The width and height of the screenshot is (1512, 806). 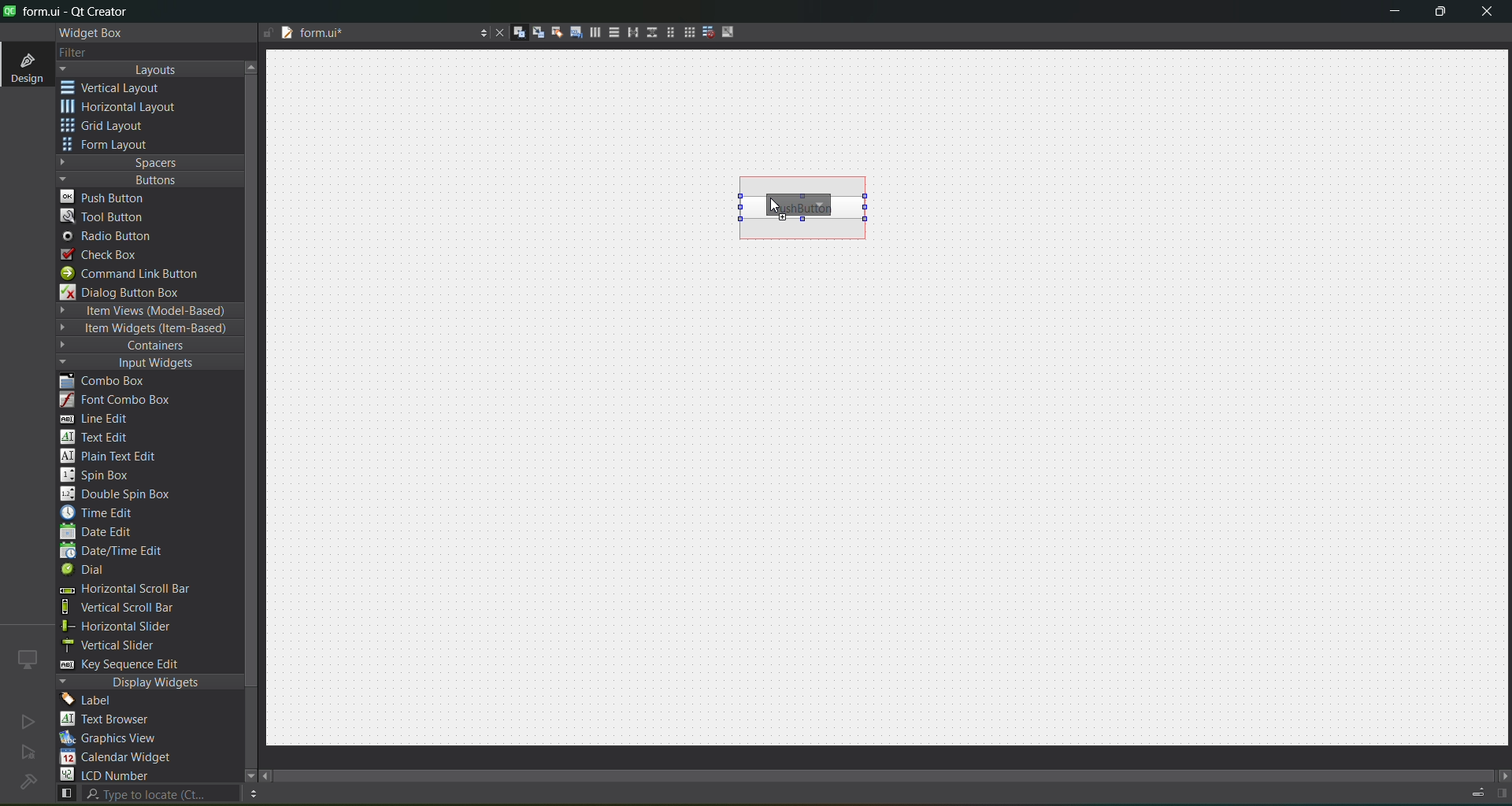 I want to click on calendar, so click(x=118, y=759).